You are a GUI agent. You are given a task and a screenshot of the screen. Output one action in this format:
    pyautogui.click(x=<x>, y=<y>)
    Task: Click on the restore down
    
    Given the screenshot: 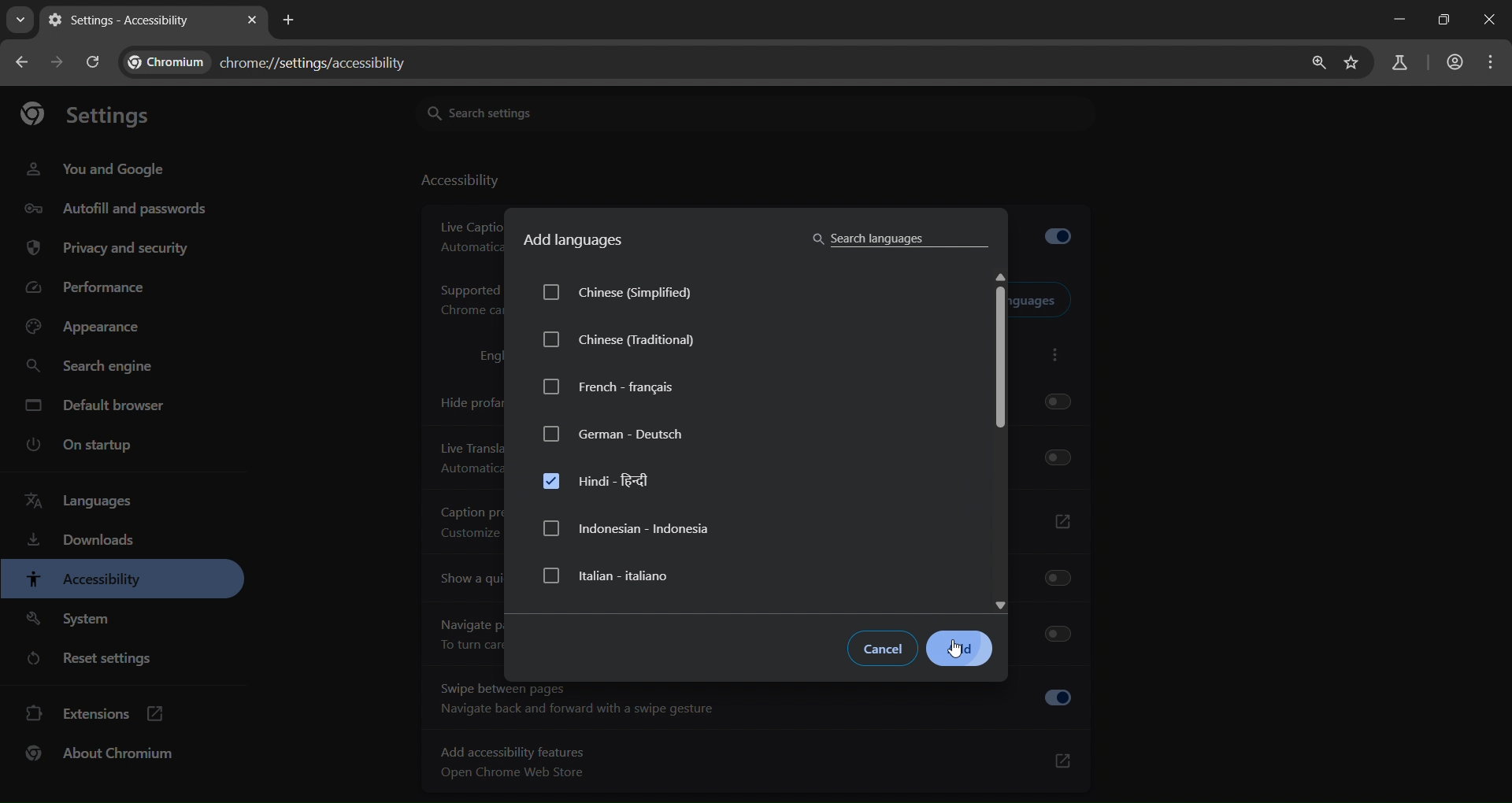 What is the action you would take?
    pyautogui.click(x=1442, y=19)
    